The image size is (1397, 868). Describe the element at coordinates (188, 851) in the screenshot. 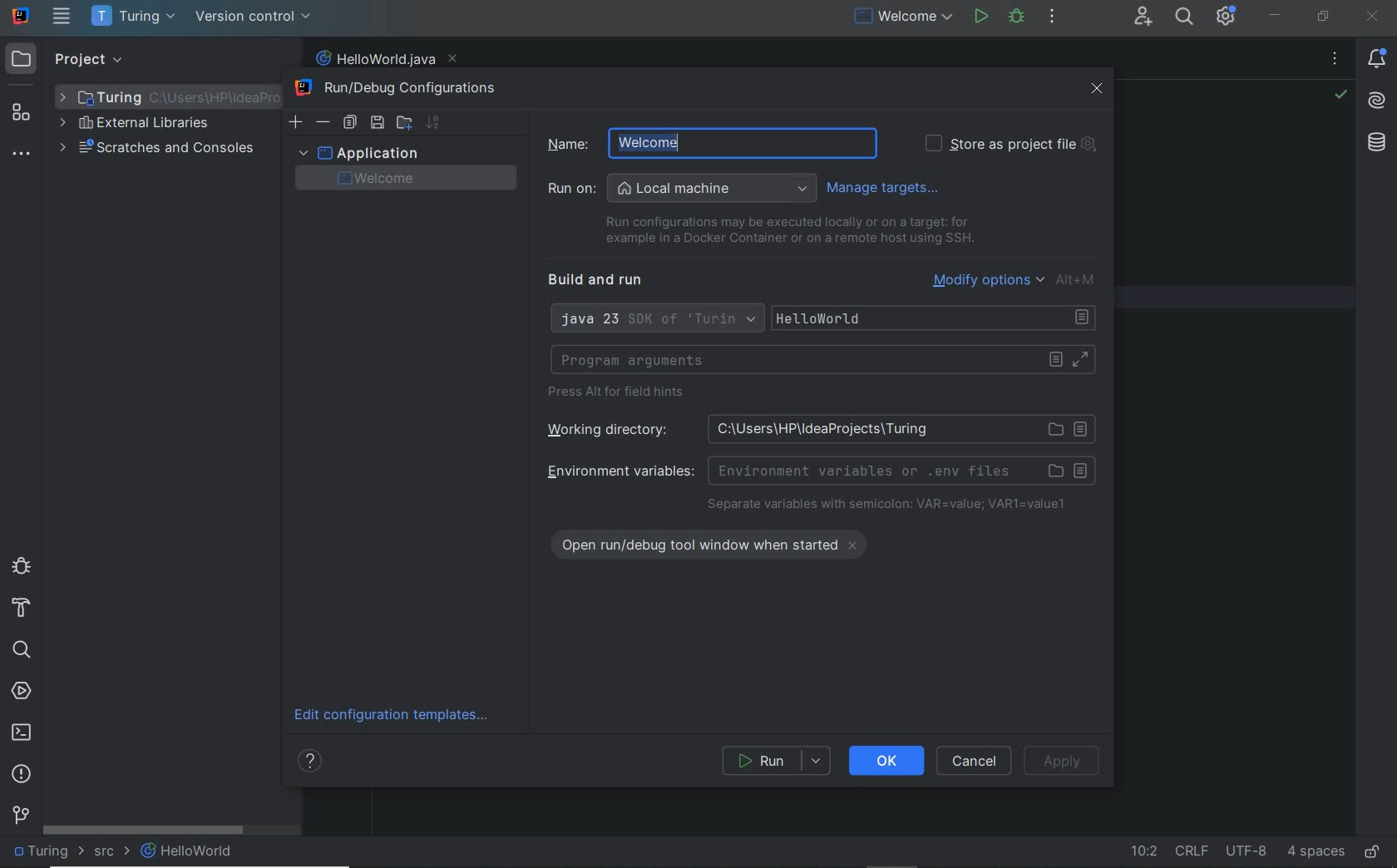

I see `HelloWorld` at that location.